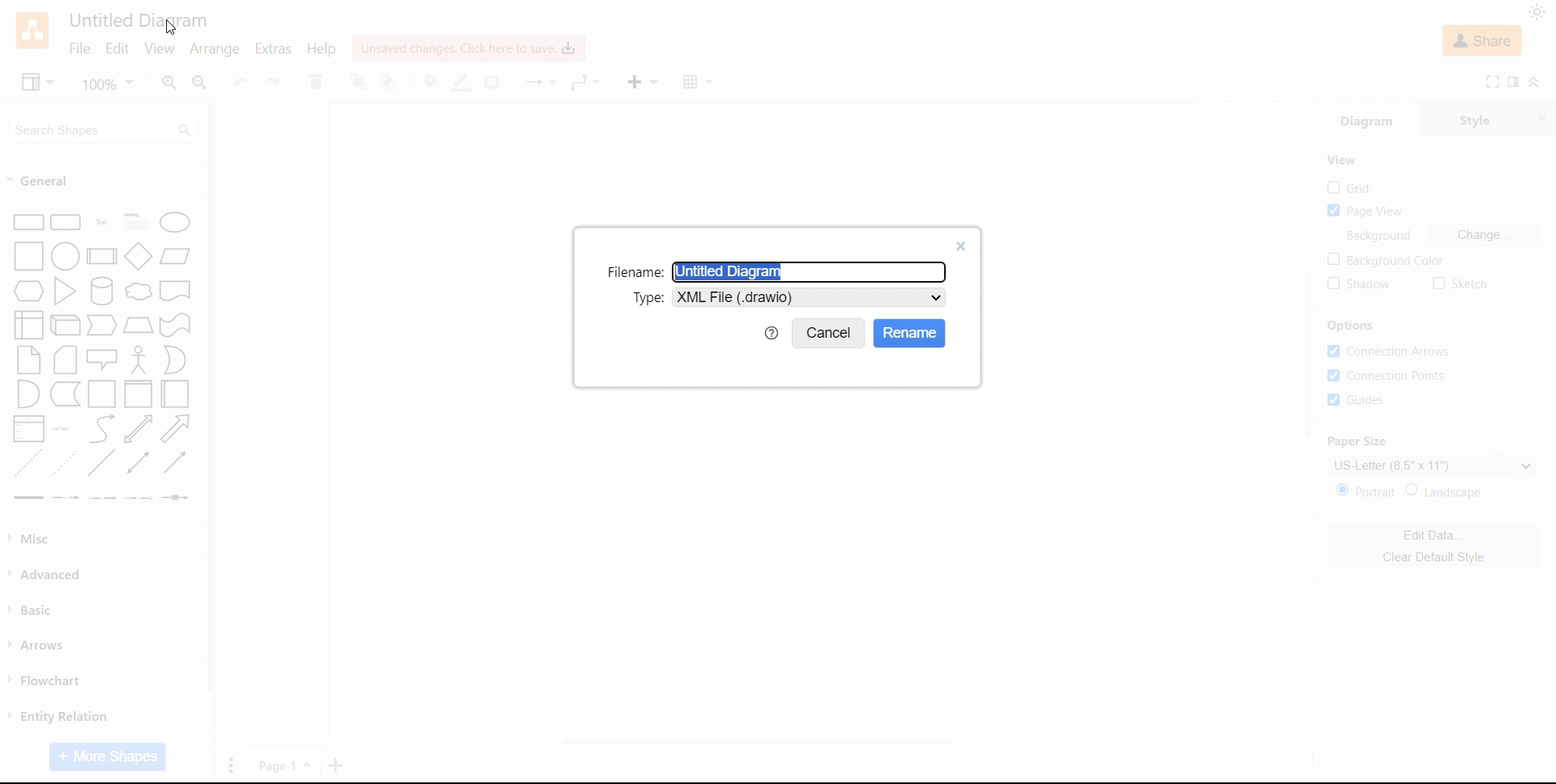 The width and height of the screenshot is (1556, 784). Describe the element at coordinates (810, 297) in the screenshot. I see `Select file type ` at that location.